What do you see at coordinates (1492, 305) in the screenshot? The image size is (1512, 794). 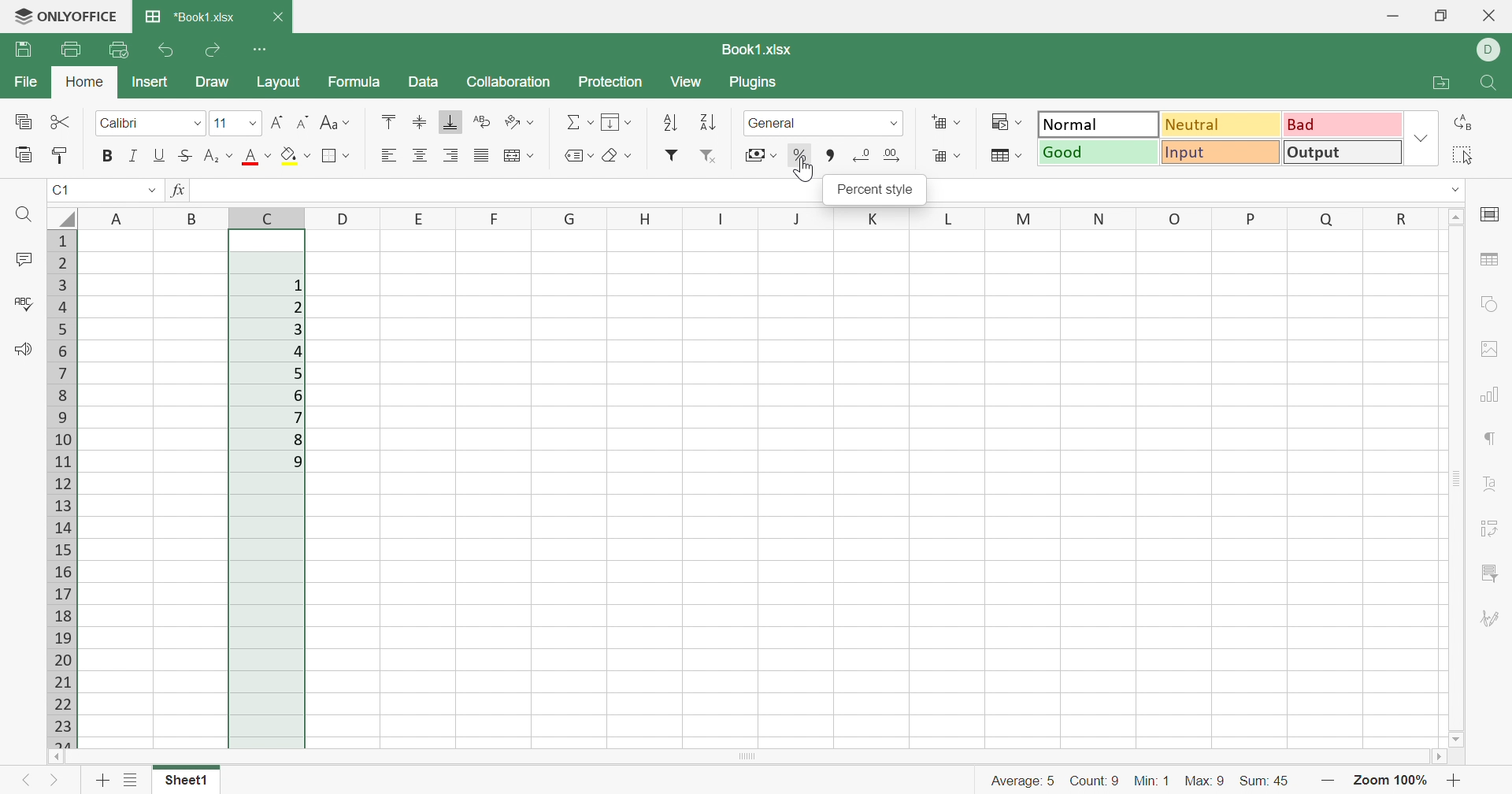 I see `Shape settings` at bounding box center [1492, 305].